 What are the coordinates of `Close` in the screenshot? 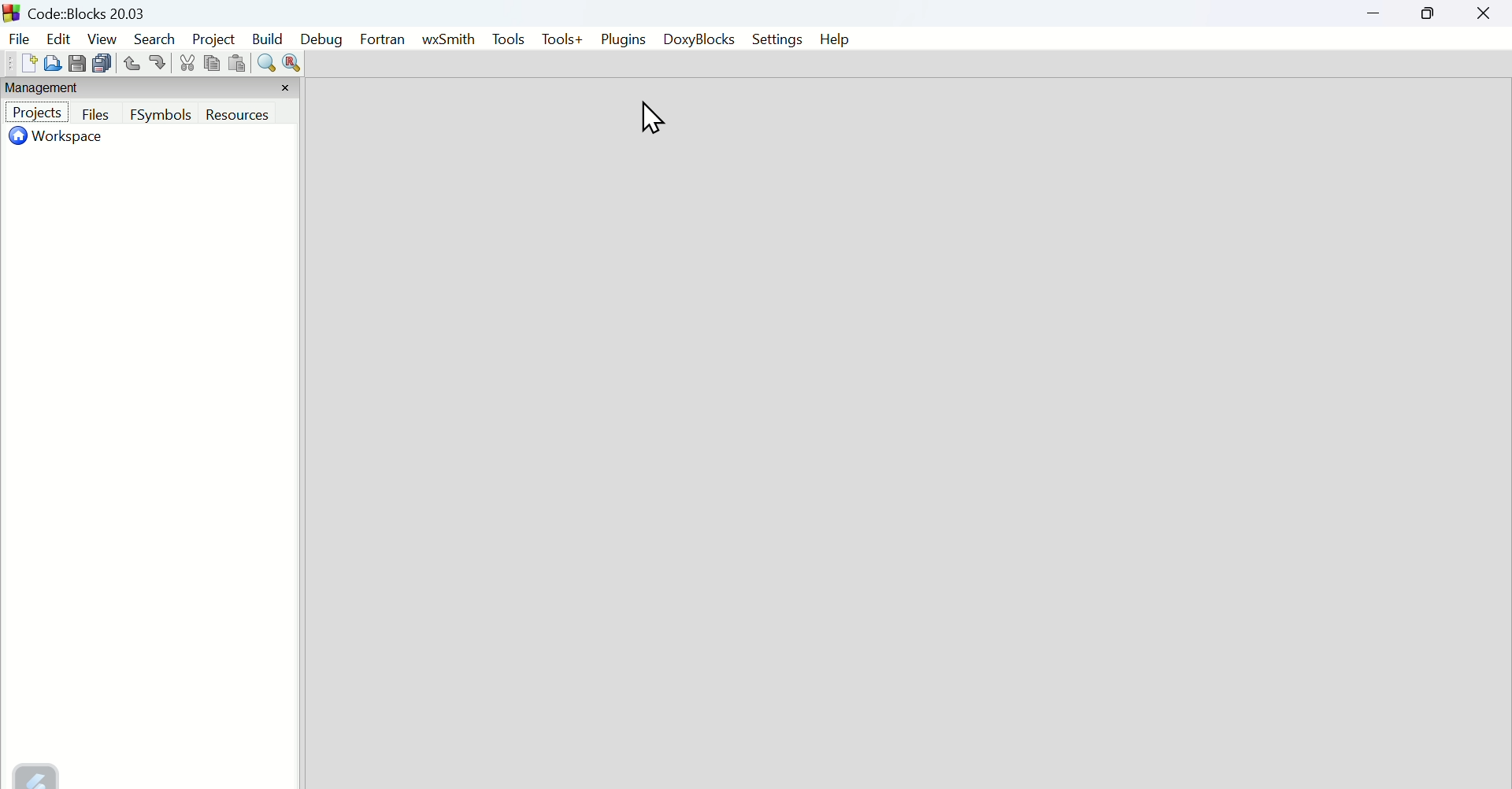 It's located at (285, 88).